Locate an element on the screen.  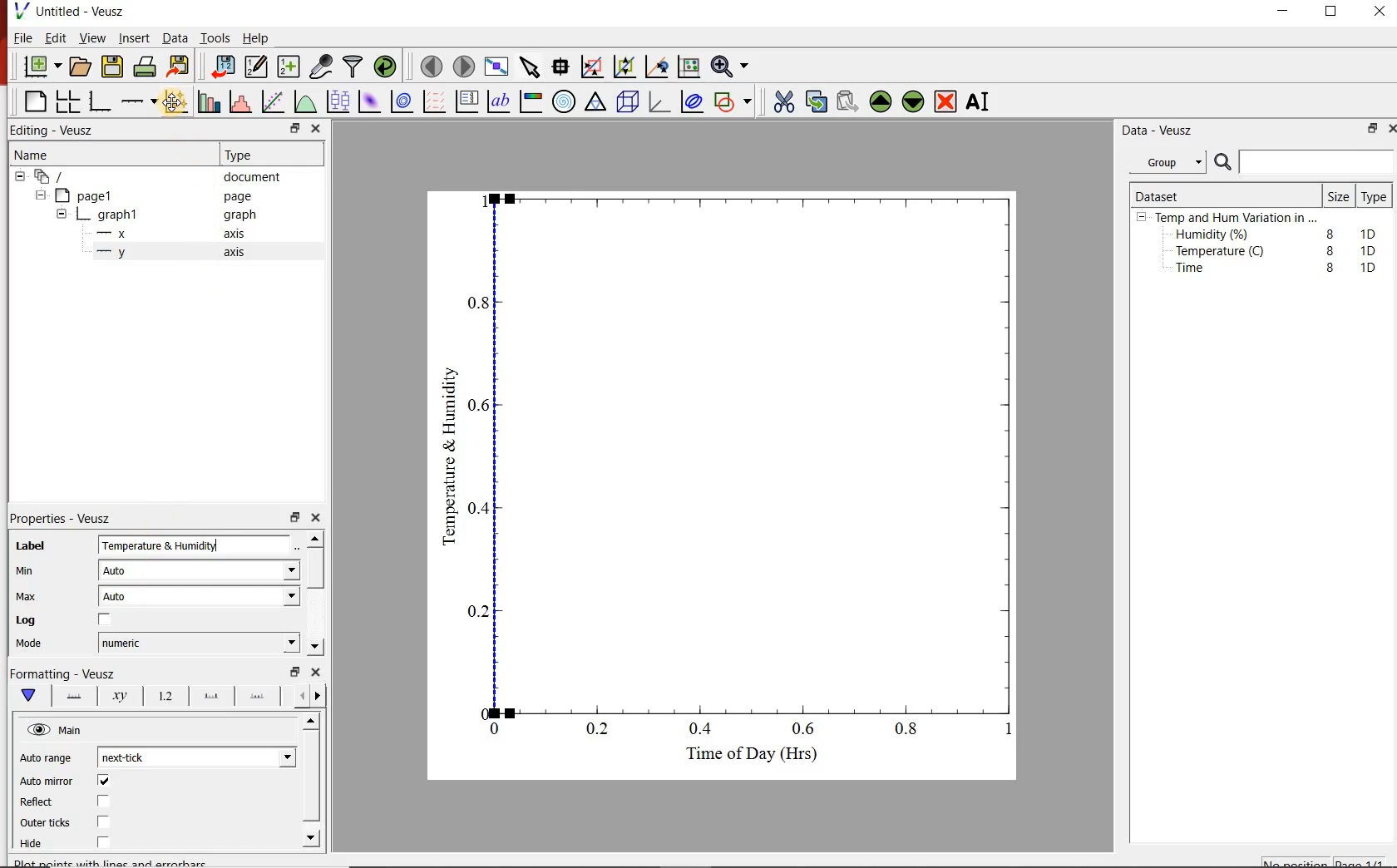
0.4 is located at coordinates (481, 508).